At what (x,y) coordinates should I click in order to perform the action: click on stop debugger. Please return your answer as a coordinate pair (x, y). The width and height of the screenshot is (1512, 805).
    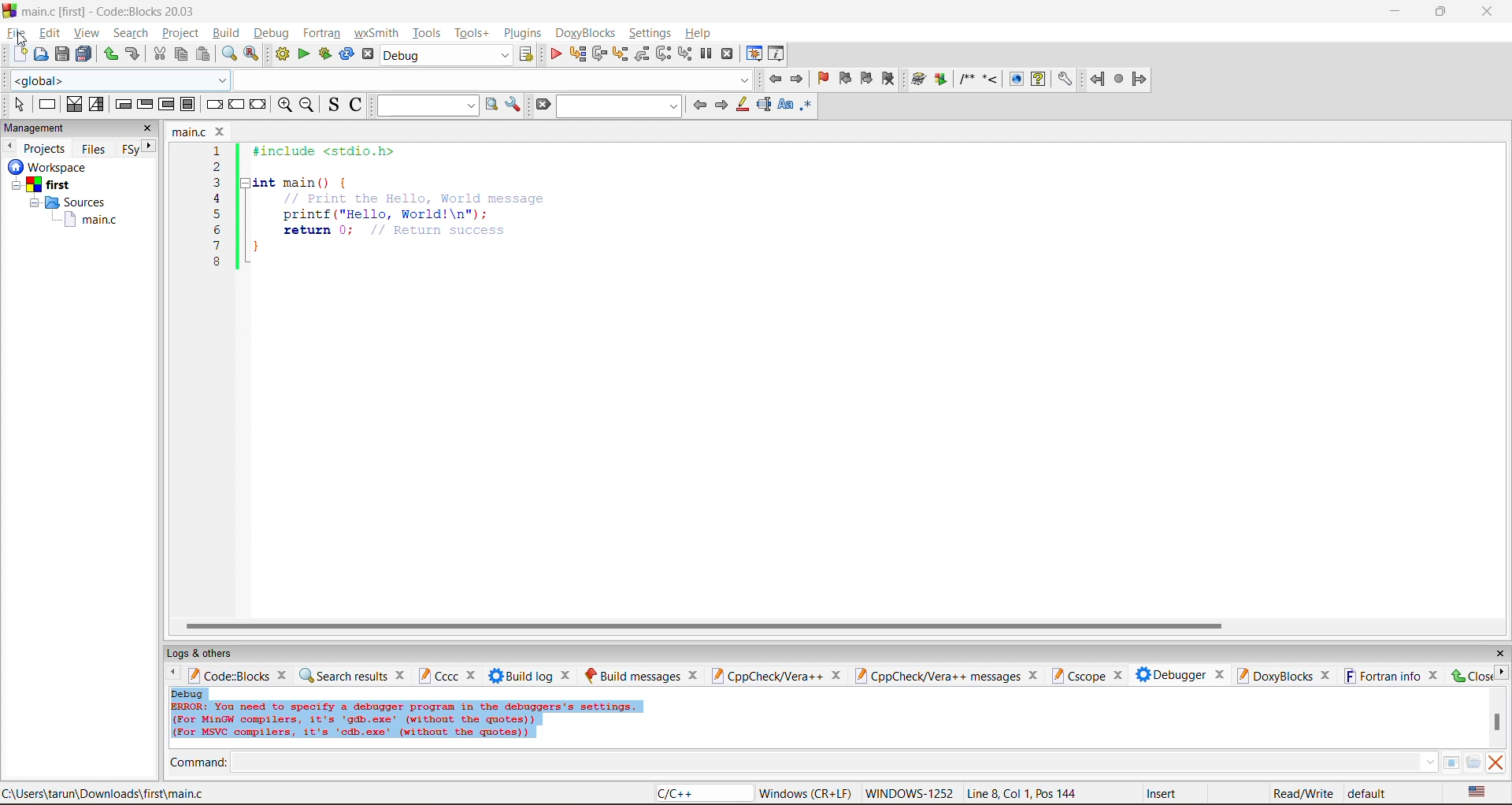
    Looking at the image, I should click on (728, 54).